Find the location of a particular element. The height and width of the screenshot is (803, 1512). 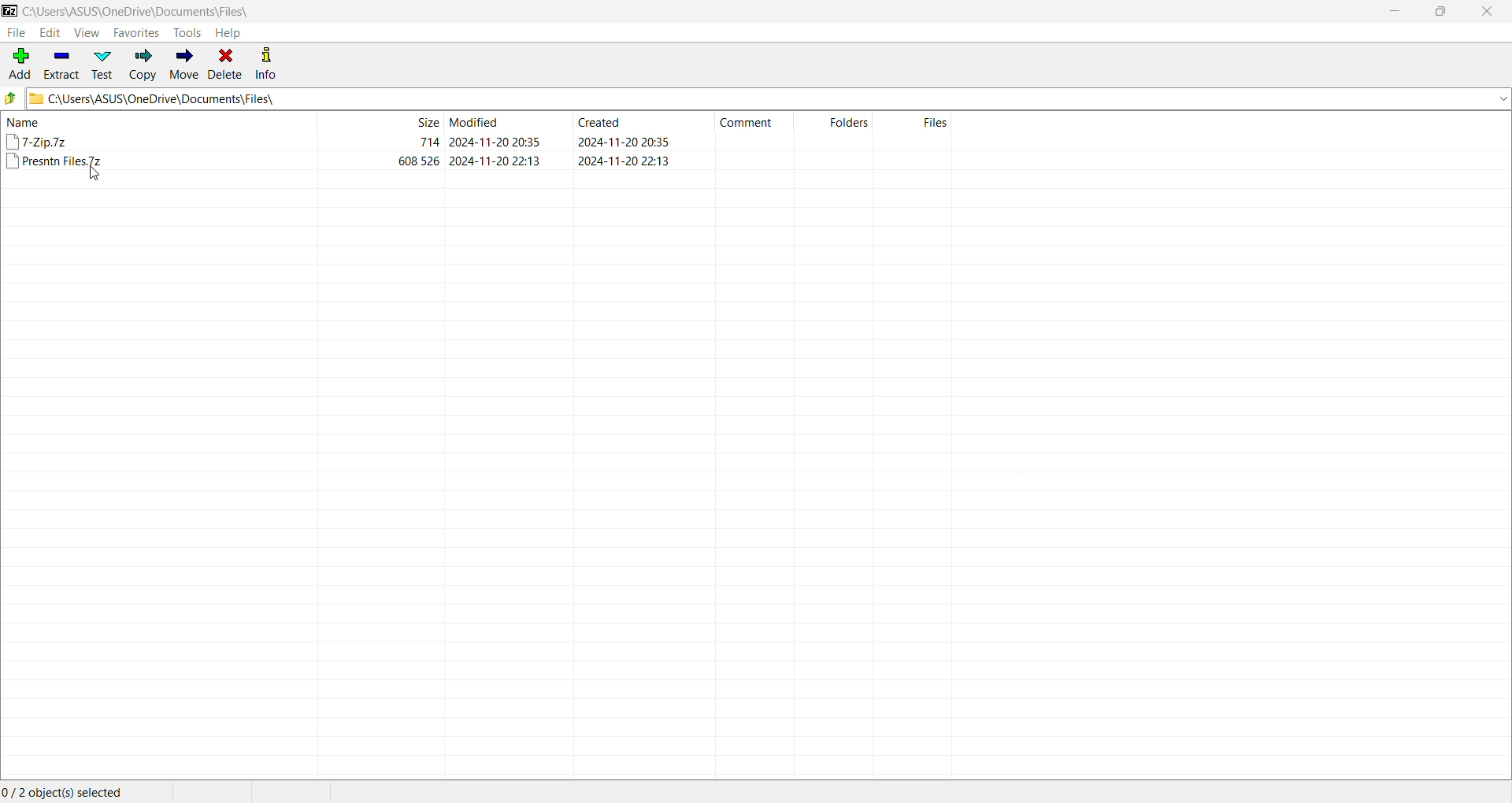

Delete is located at coordinates (227, 65).